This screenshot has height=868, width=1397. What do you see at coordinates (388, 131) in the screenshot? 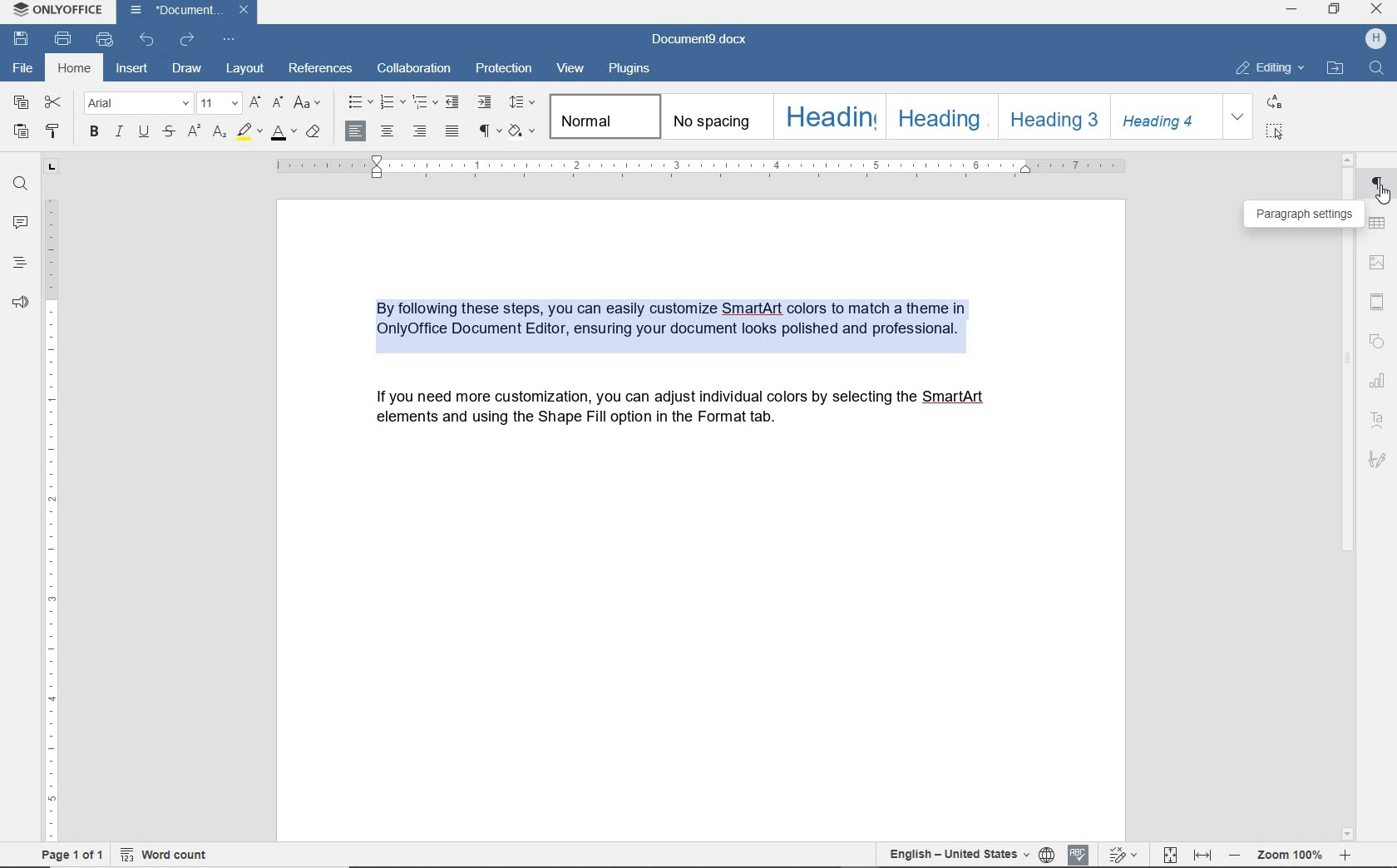
I see `align center` at bounding box center [388, 131].